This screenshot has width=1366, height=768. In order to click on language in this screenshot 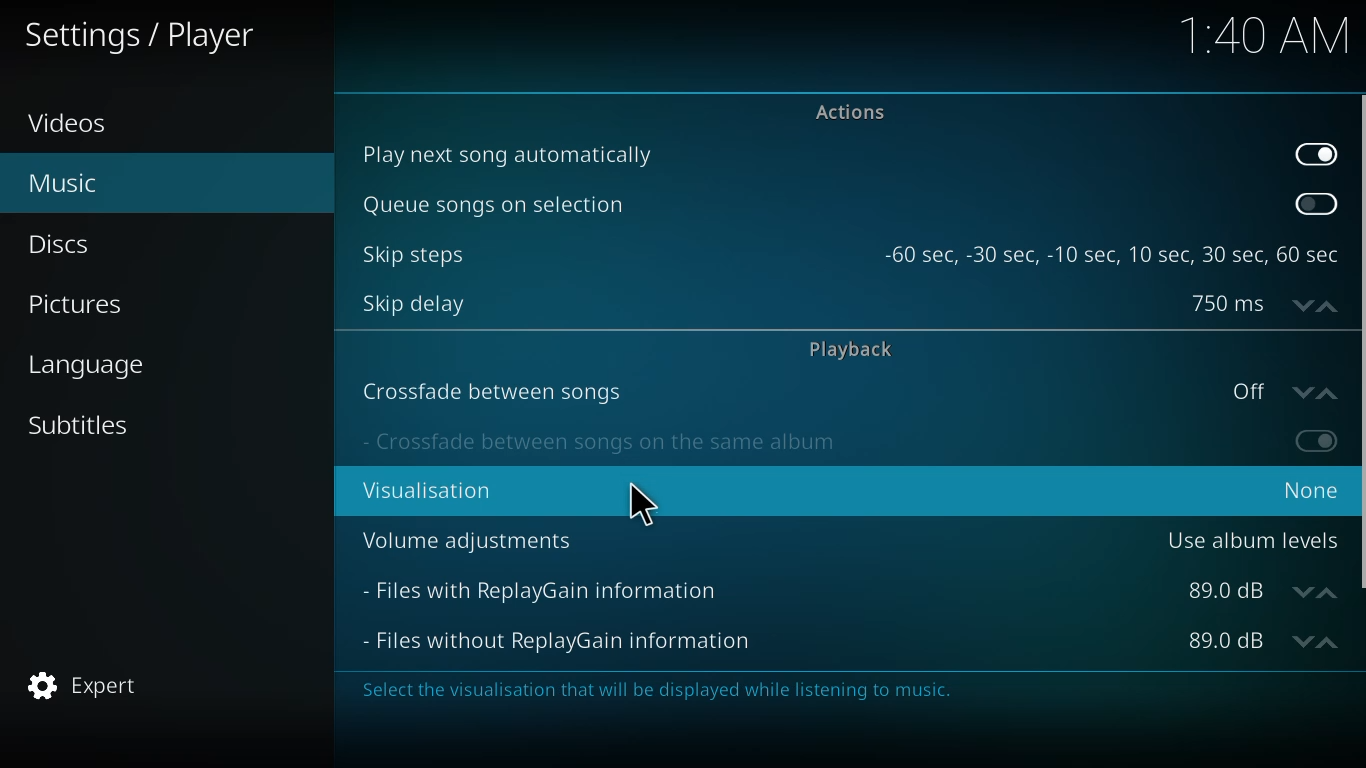, I will do `click(95, 365)`.